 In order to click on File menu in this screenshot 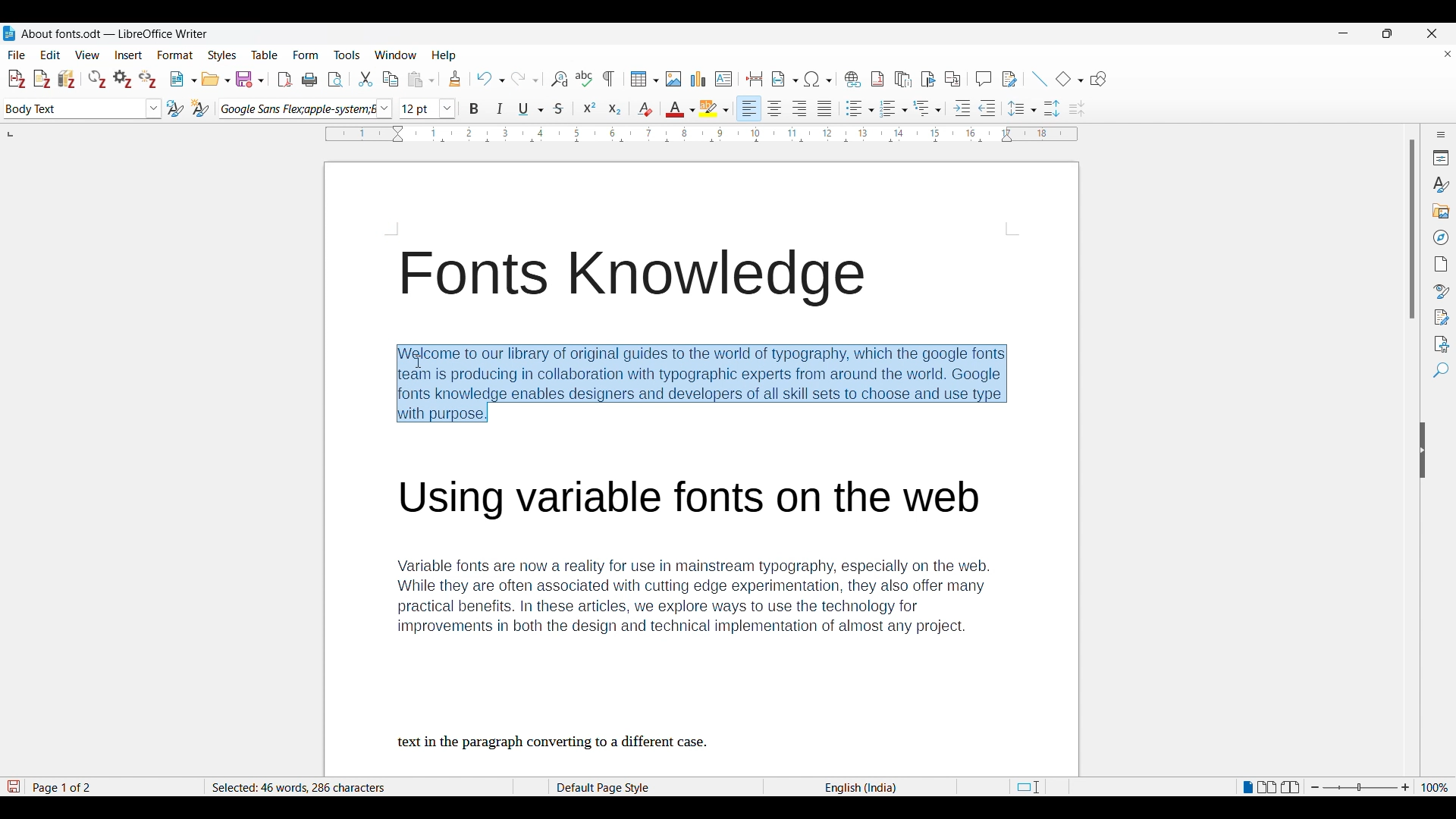, I will do `click(17, 55)`.